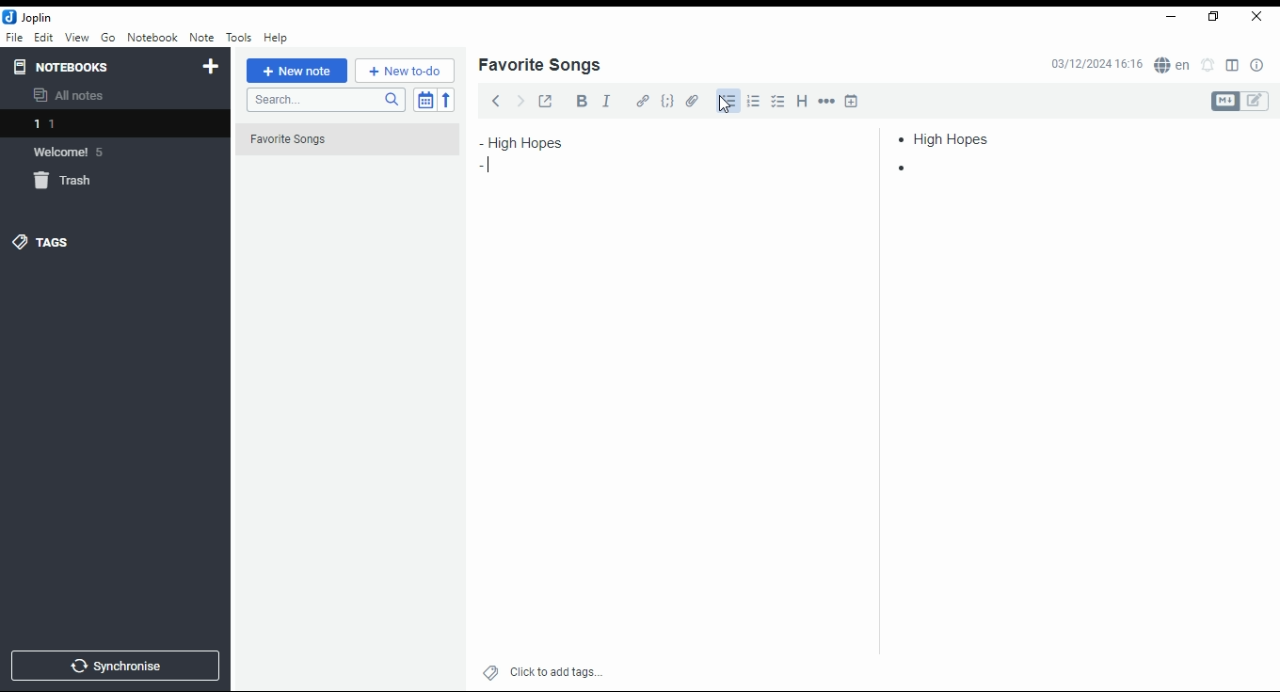 This screenshot has width=1280, height=692. Describe the element at coordinates (1216, 17) in the screenshot. I see `restore` at that location.